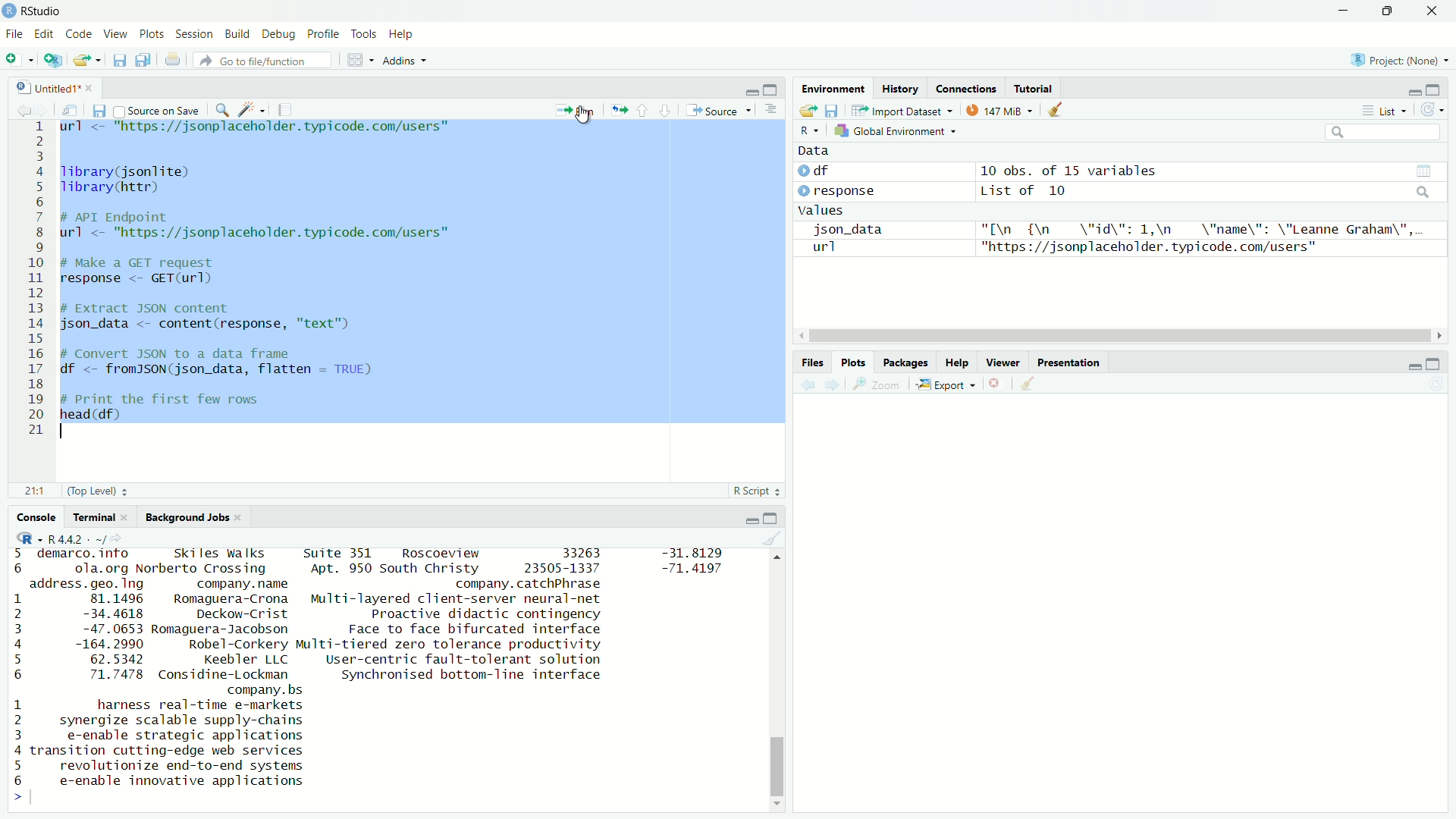 This screenshot has width=1456, height=819. I want to click on df, so click(815, 170).